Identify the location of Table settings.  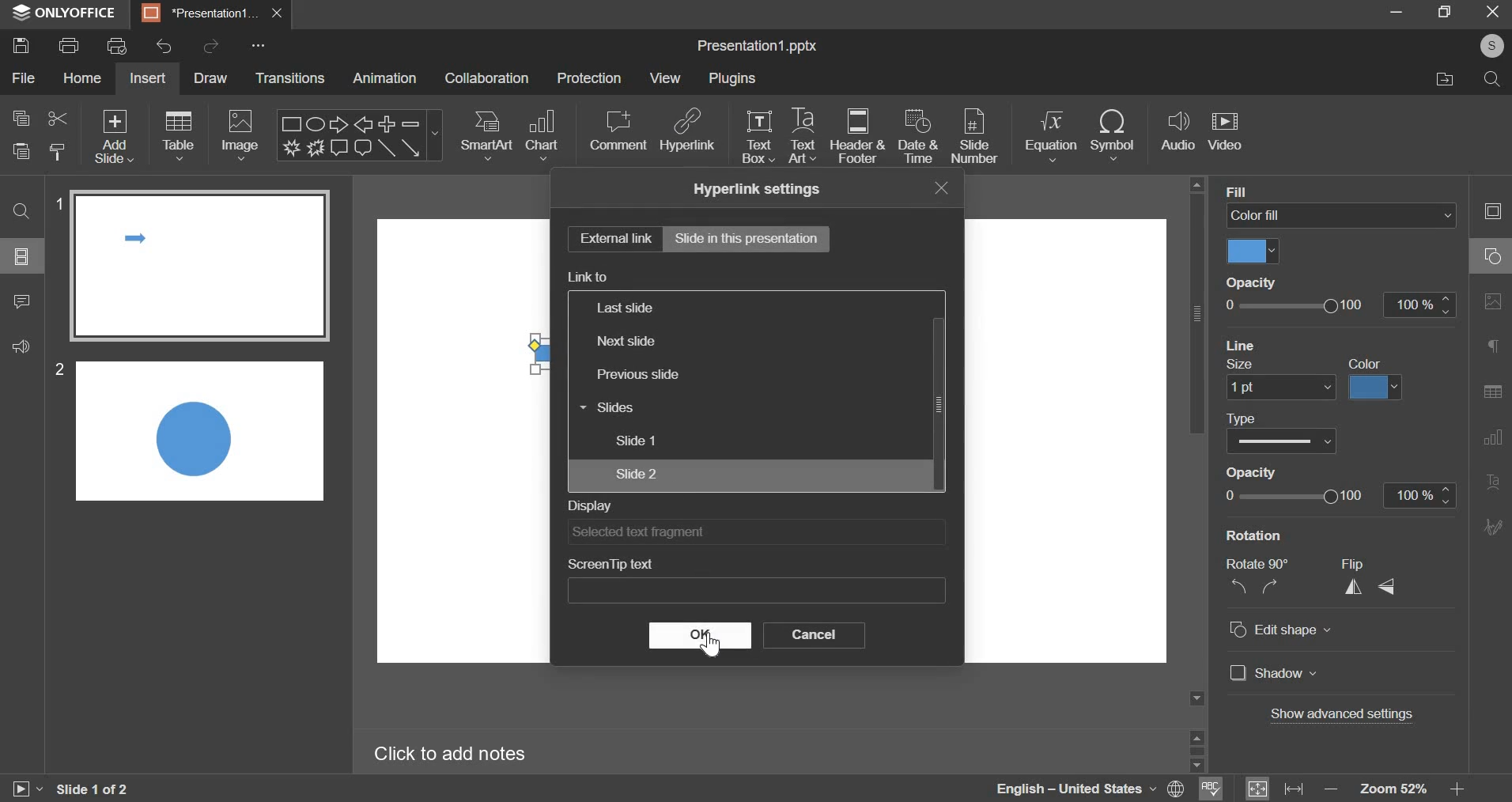
(1496, 392).